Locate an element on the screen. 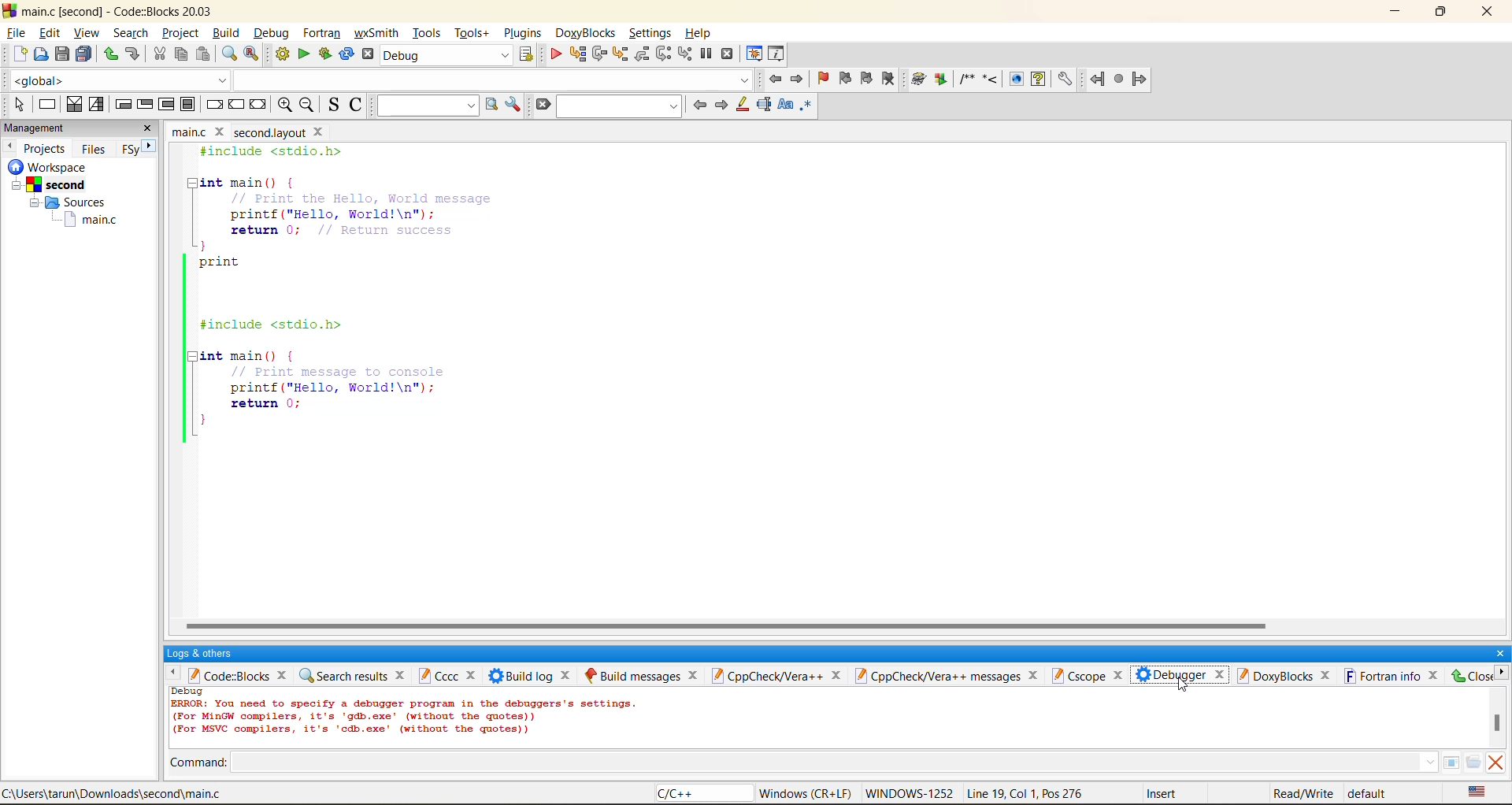 The width and height of the screenshot is (1512, 805). clear is located at coordinates (539, 106).